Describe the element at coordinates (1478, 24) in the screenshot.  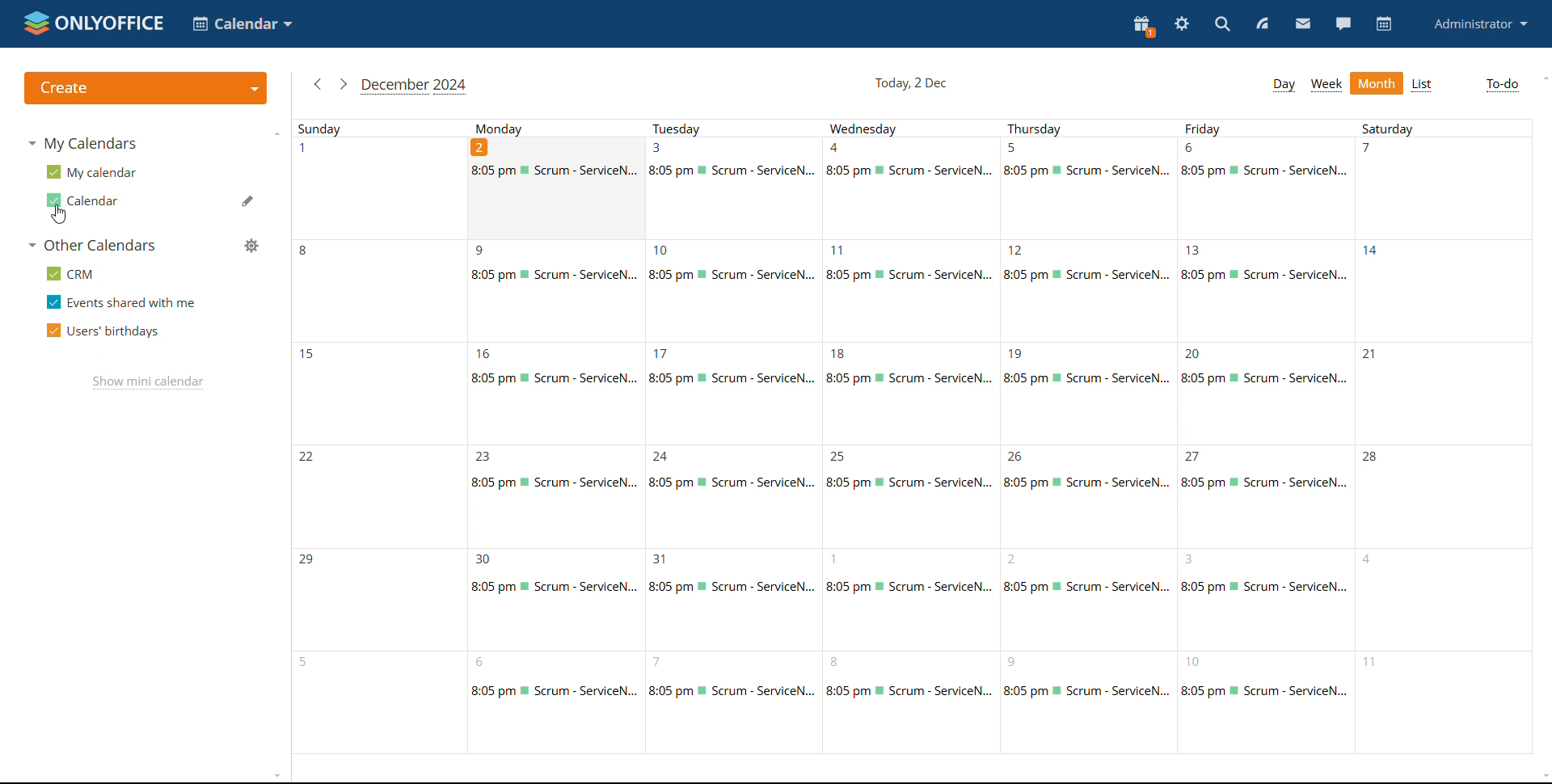
I see `account` at that location.